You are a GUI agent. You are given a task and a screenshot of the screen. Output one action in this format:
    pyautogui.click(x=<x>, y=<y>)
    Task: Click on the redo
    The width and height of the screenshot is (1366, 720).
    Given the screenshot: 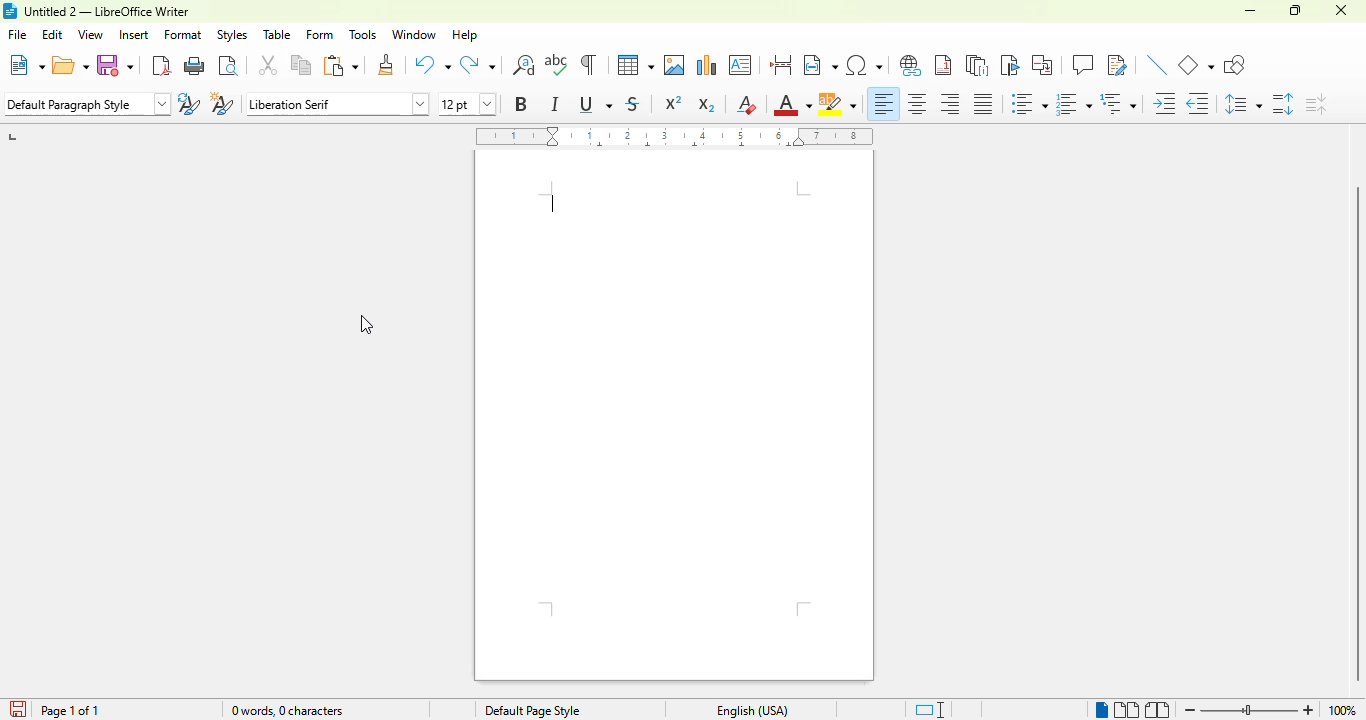 What is the action you would take?
    pyautogui.click(x=477, y=65)
    